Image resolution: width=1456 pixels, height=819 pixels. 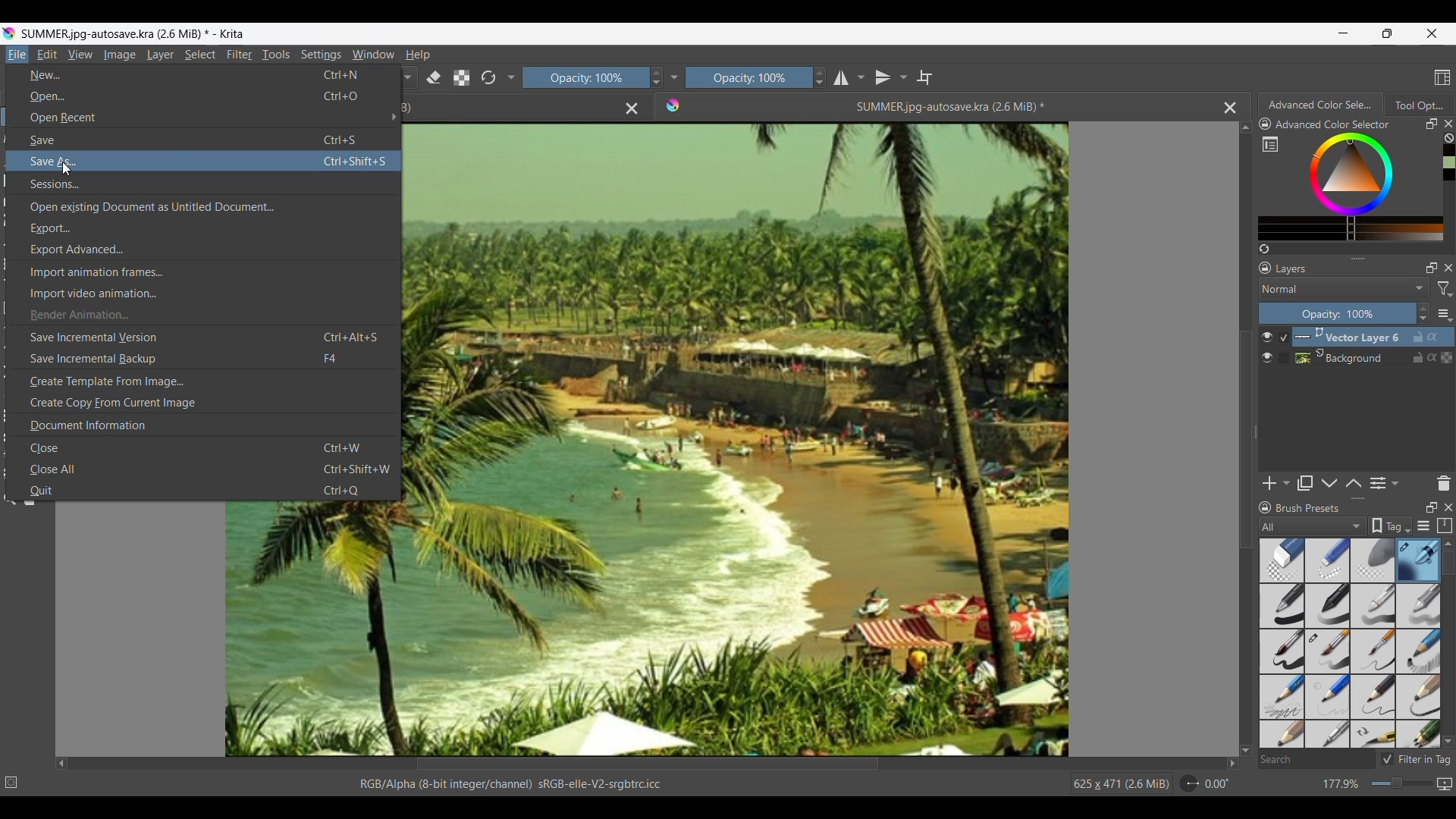 I want to click on Export advanced, so click(x=205, y=249).